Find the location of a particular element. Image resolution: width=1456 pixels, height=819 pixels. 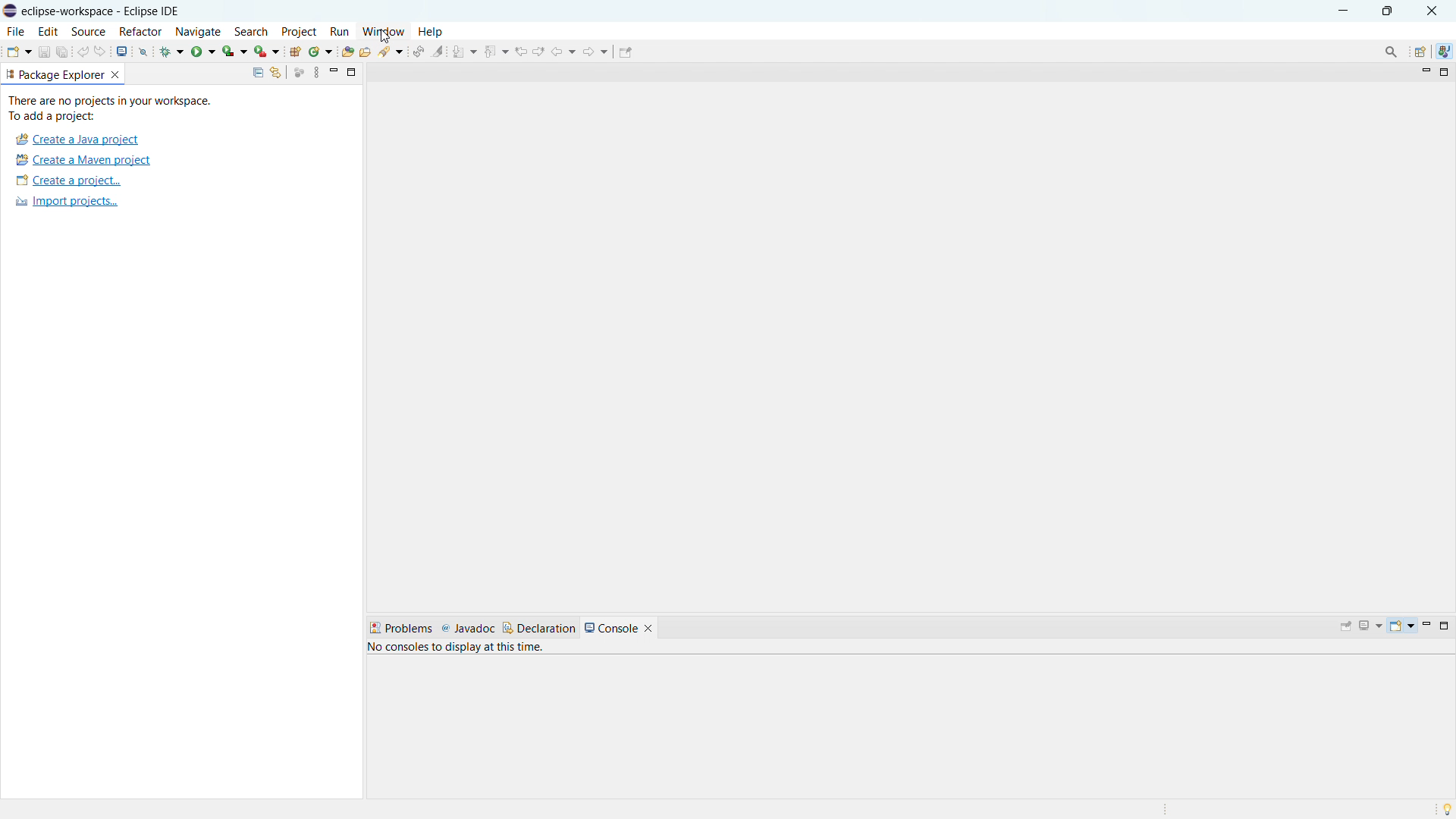

save all is located at coordinates (62, 52).